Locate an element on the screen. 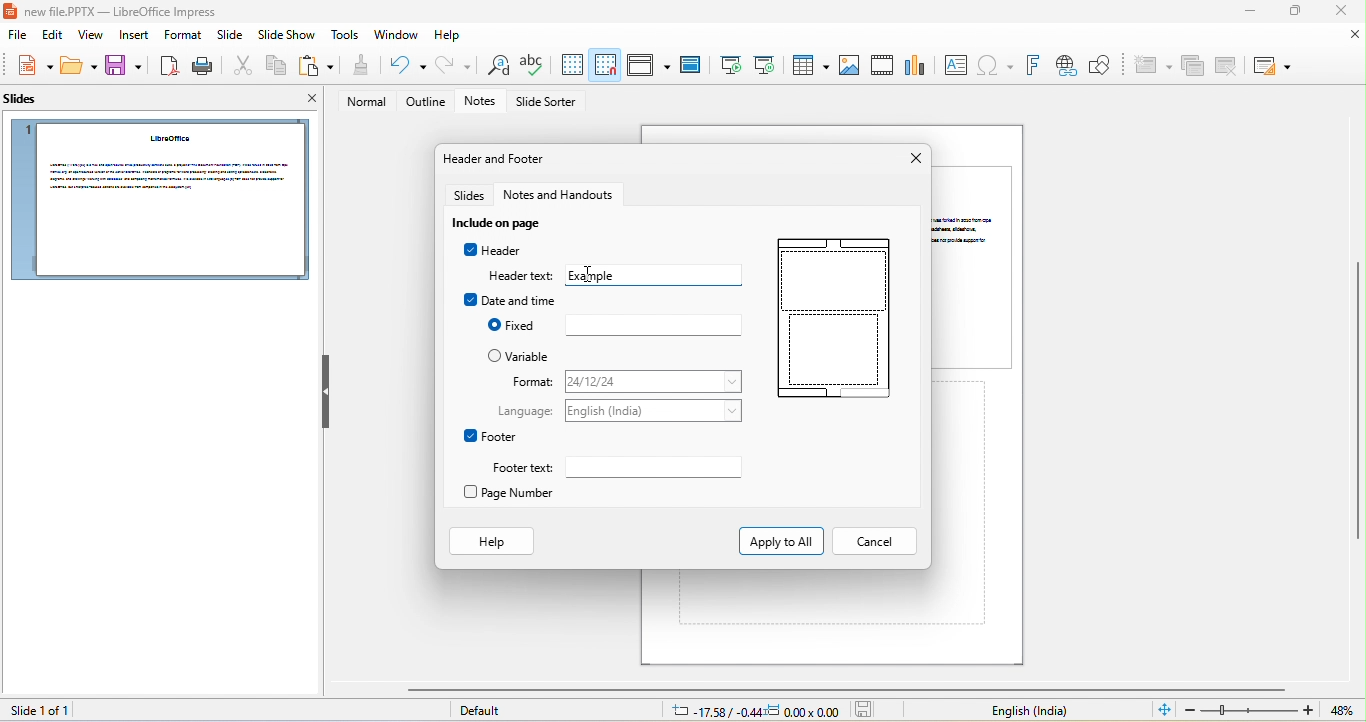  close is located at coordinates (1338, 11).